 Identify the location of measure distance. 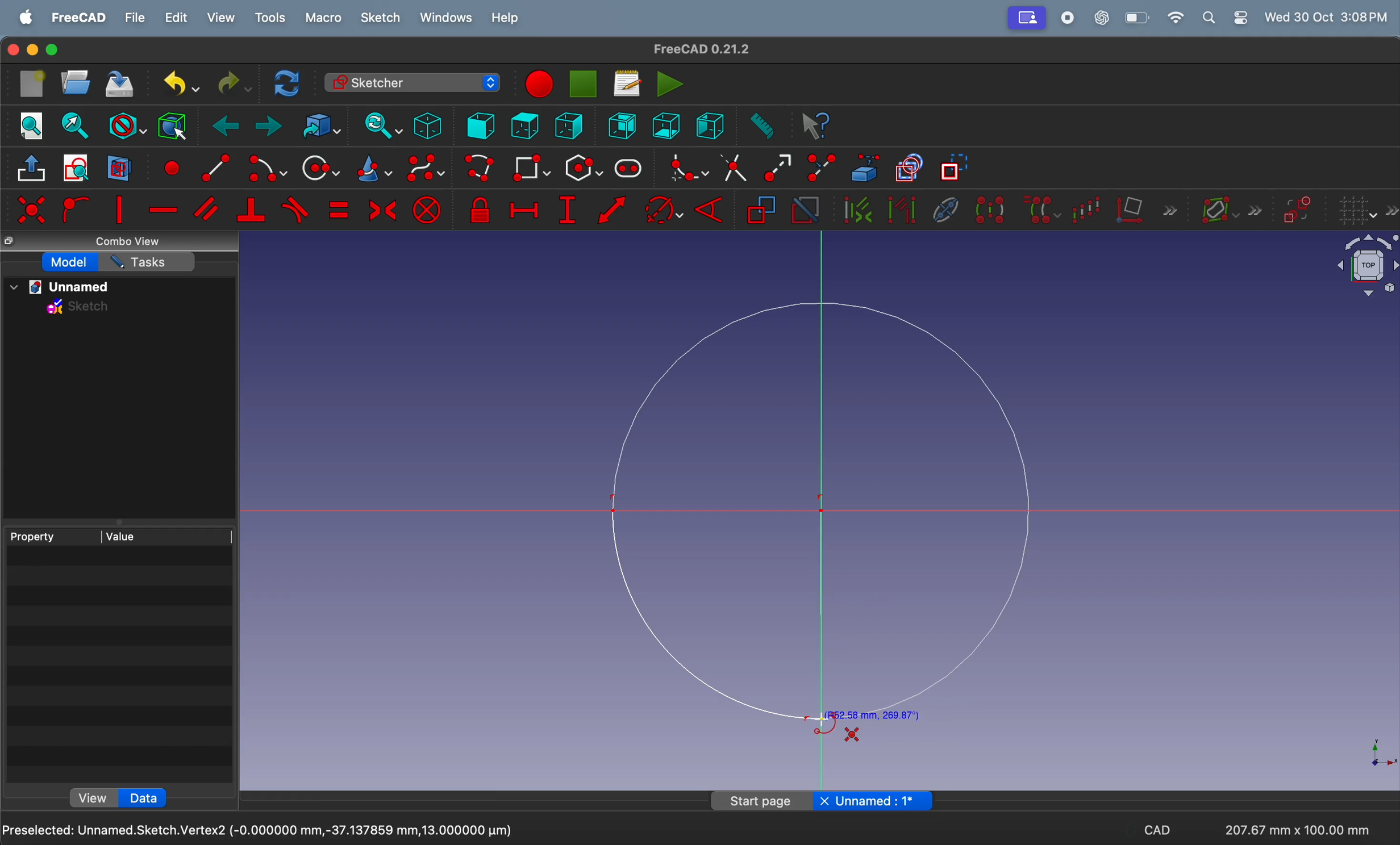
(760, 127).